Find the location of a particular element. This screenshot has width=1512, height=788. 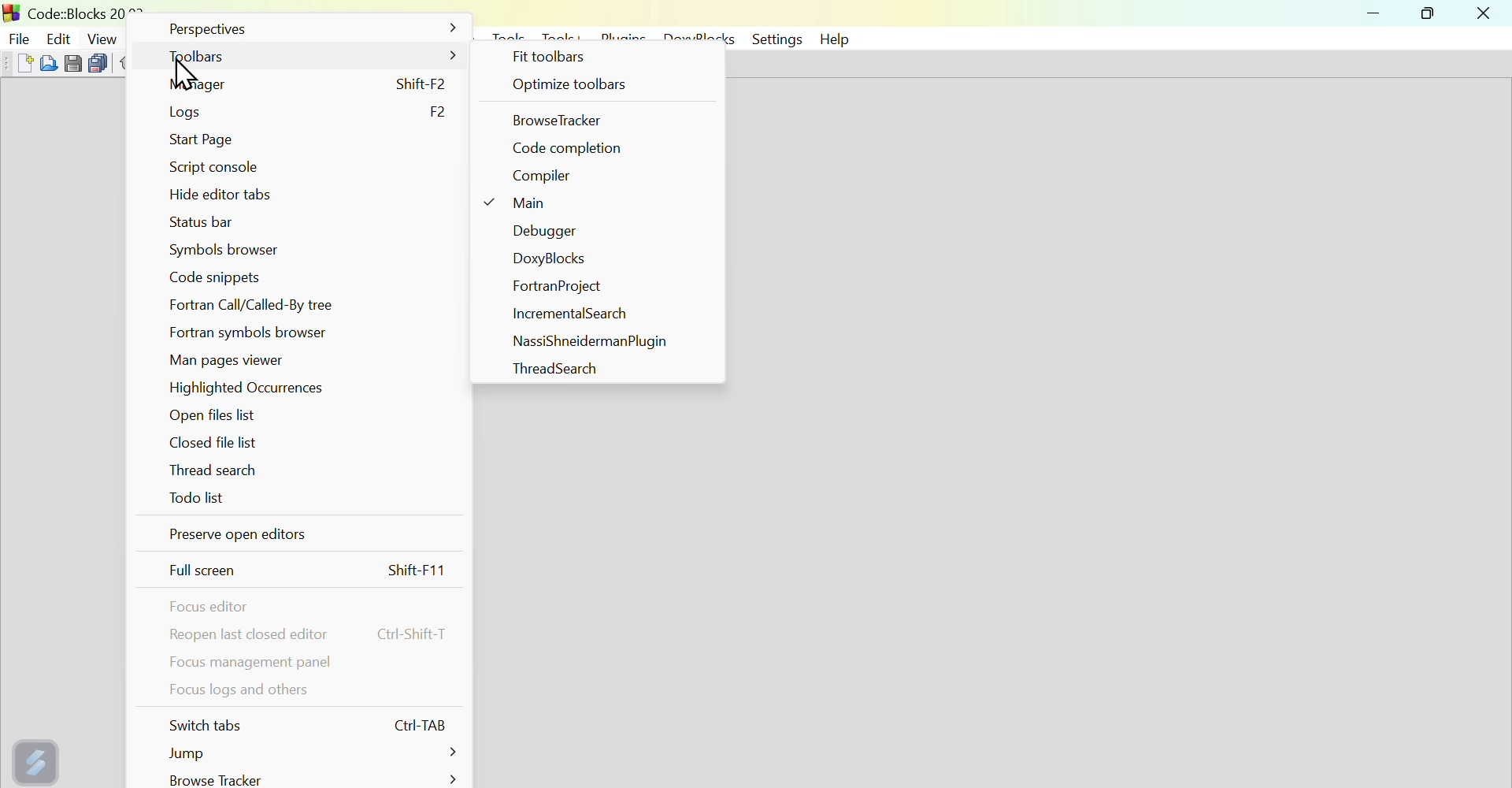

Focus management panel is located at coordinates (250, 663).